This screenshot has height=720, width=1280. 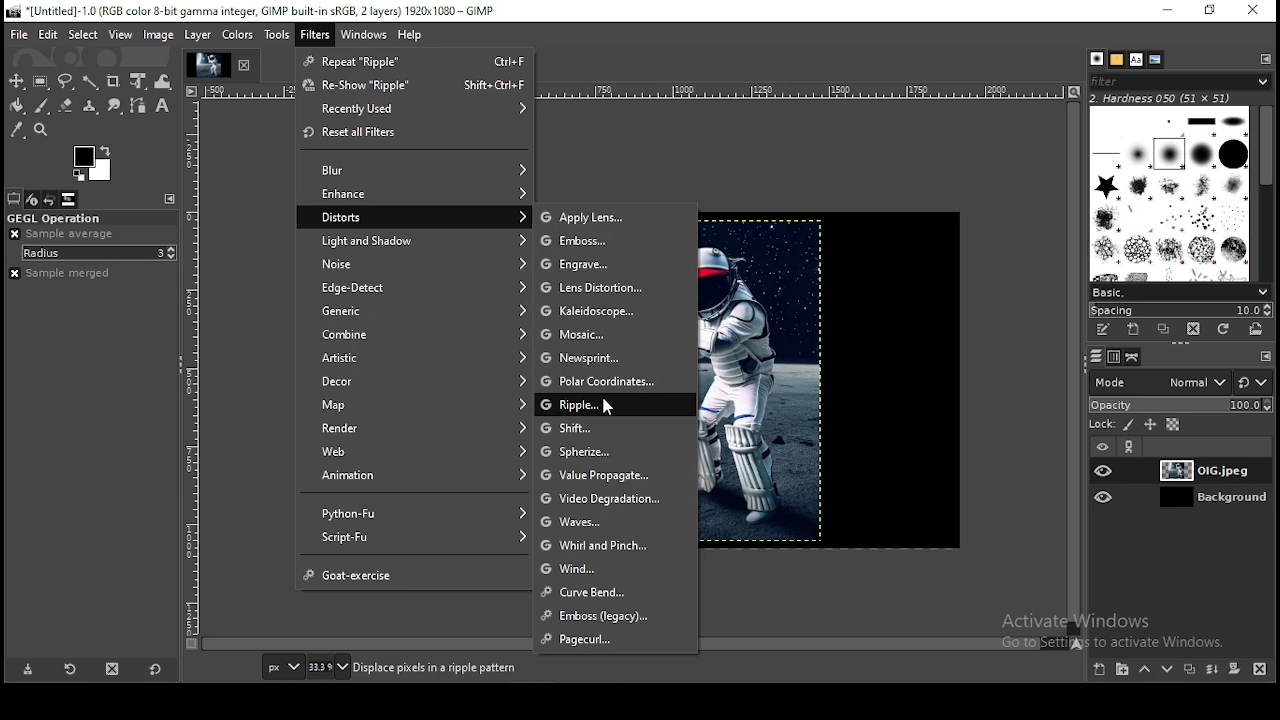 What do you see at coordinates (591, 569) in the screenshot?
I see `wind` at bounding box center [591, 569].